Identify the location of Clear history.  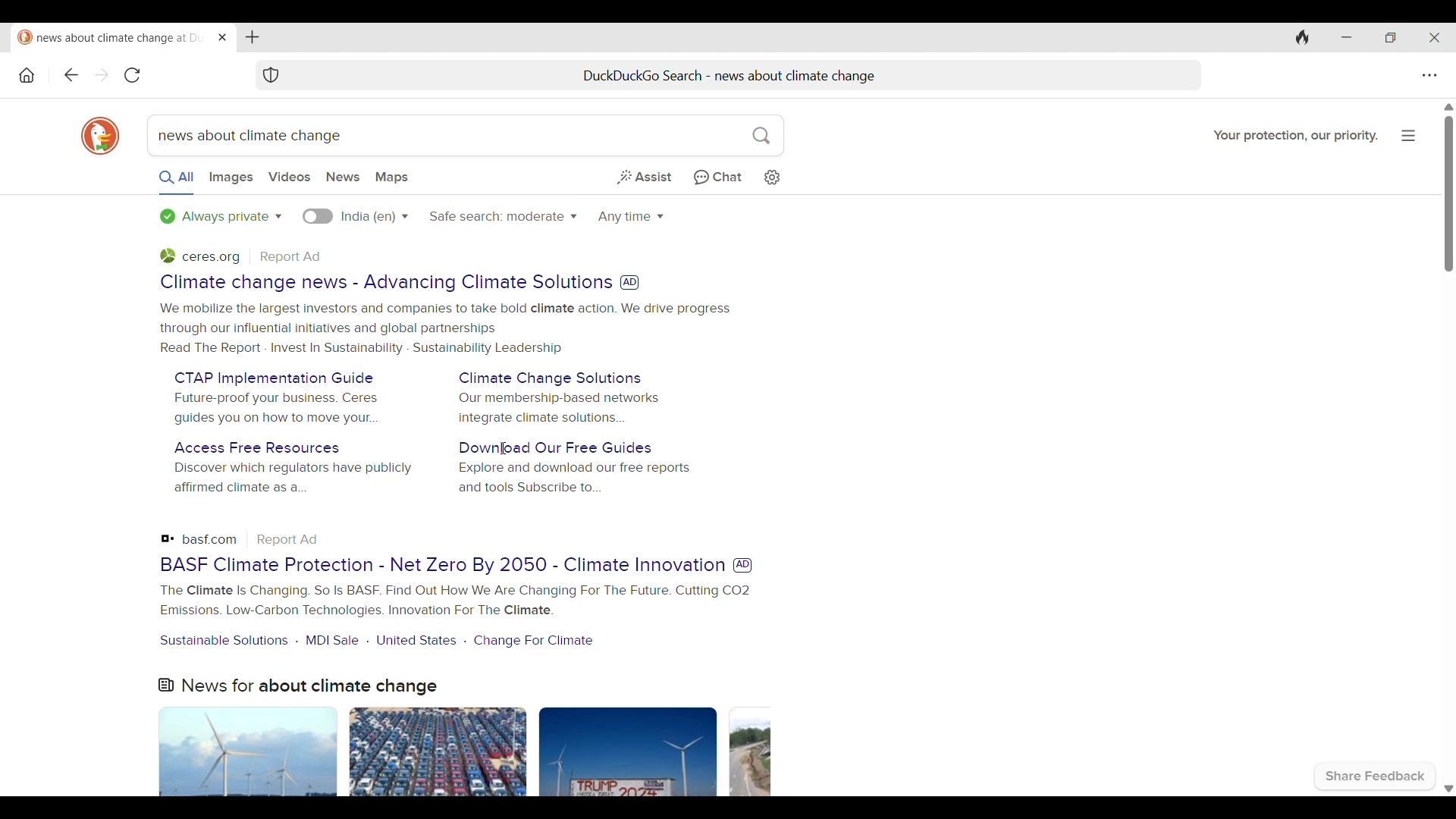
(1302, 38).